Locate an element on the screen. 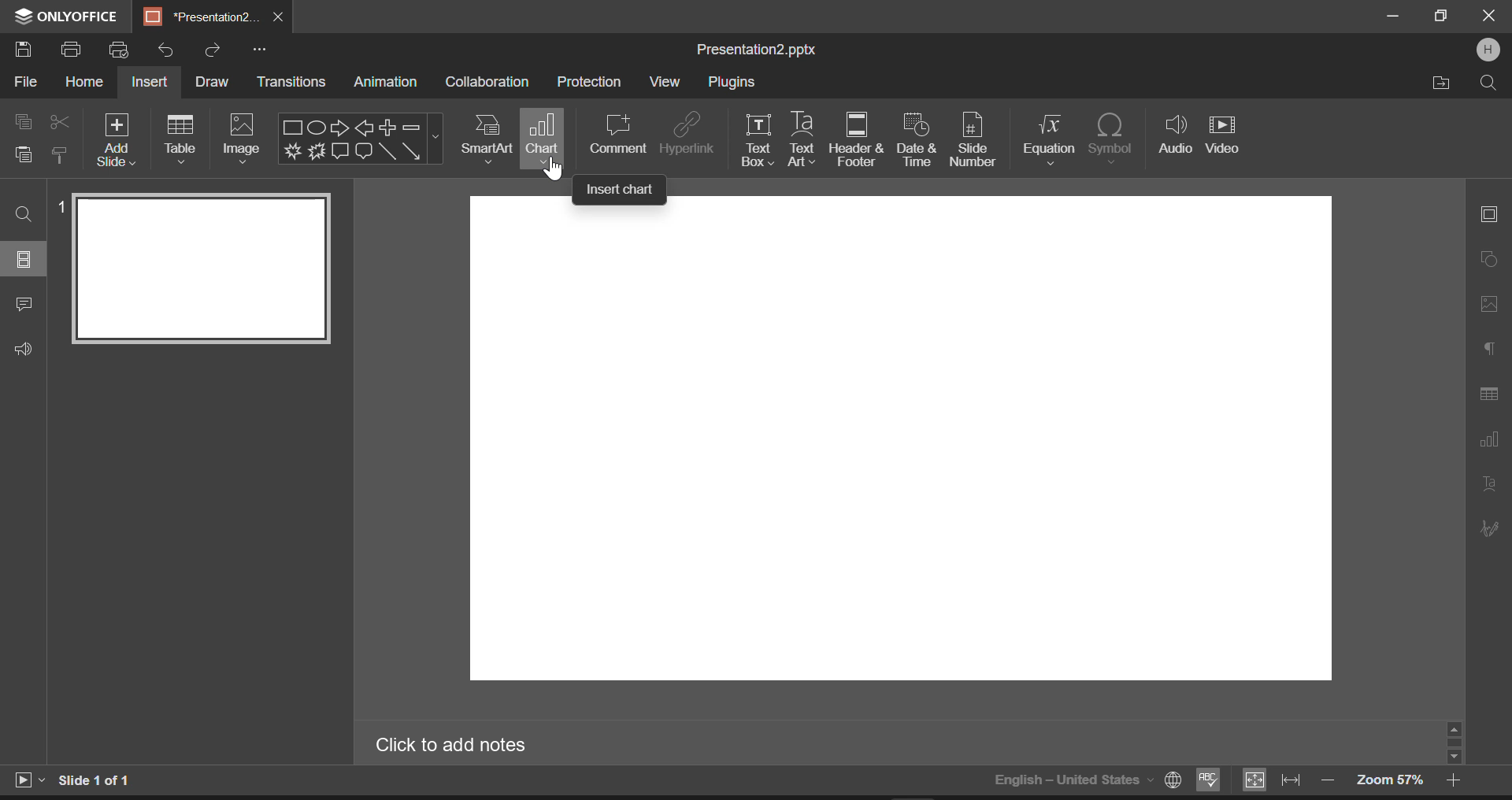 The image size is (1512, 800). Right Arrow is located at coordinates (340, 128).